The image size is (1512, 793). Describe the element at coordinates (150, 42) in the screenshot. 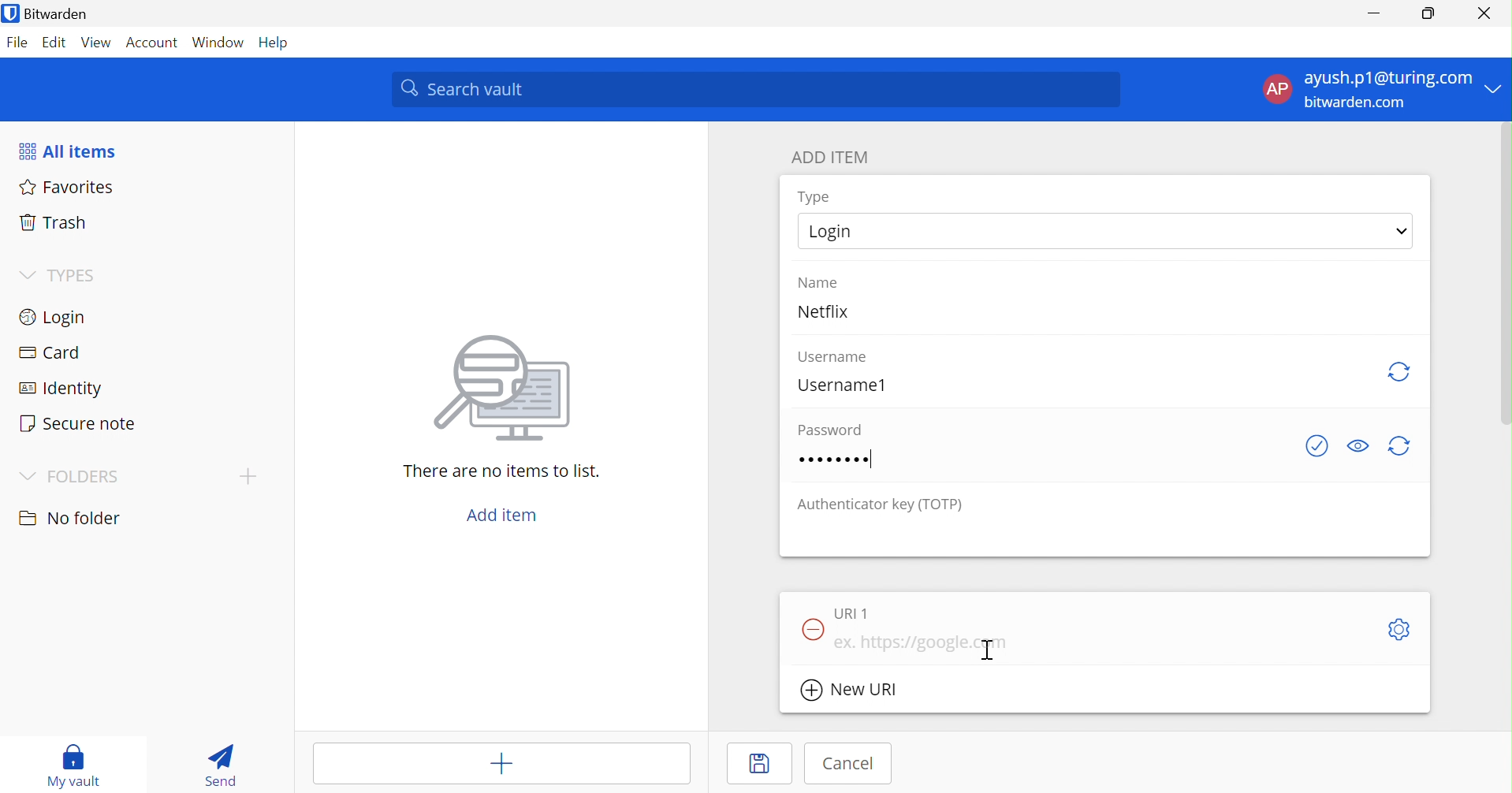

I see `Account` at that location.